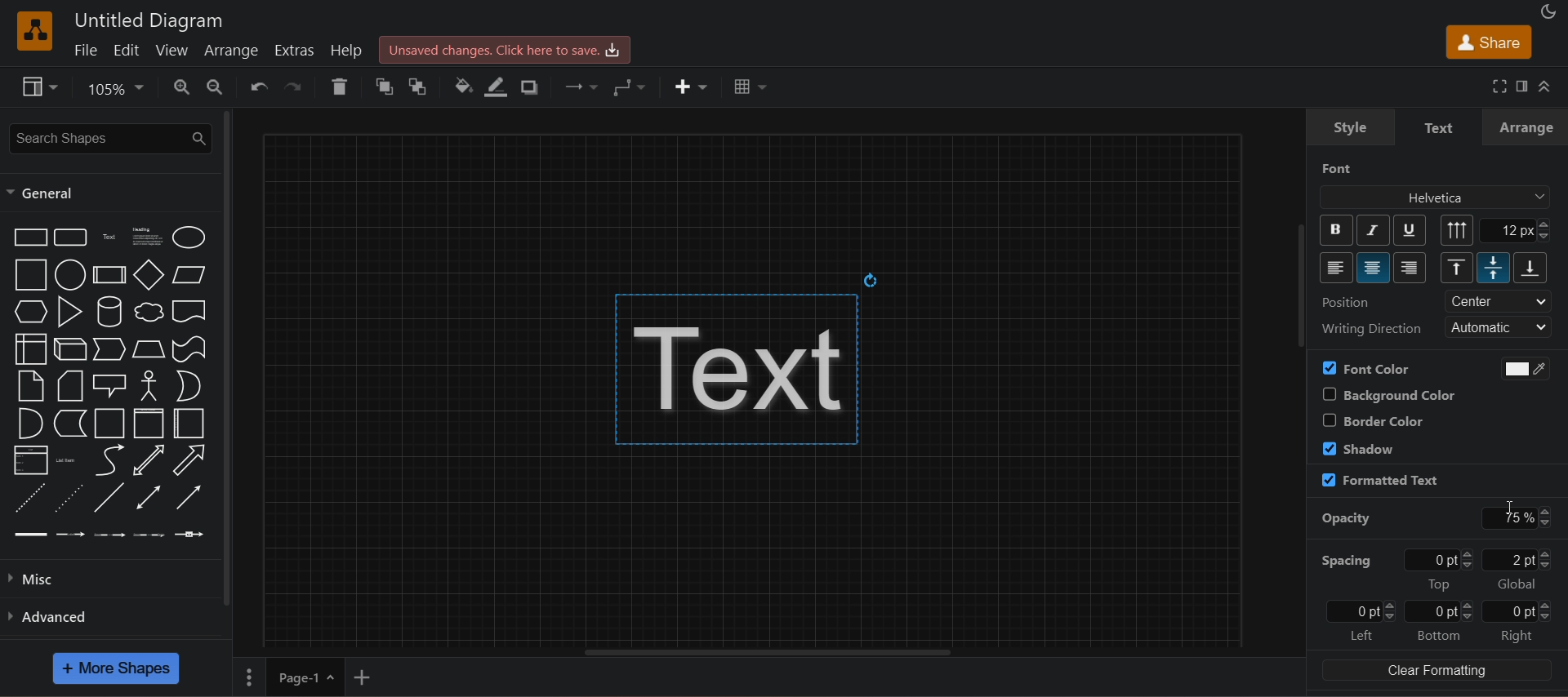 Image resolution: width=1568 pixels, height=697 pixels. I want to click on document, so click(189, 311).